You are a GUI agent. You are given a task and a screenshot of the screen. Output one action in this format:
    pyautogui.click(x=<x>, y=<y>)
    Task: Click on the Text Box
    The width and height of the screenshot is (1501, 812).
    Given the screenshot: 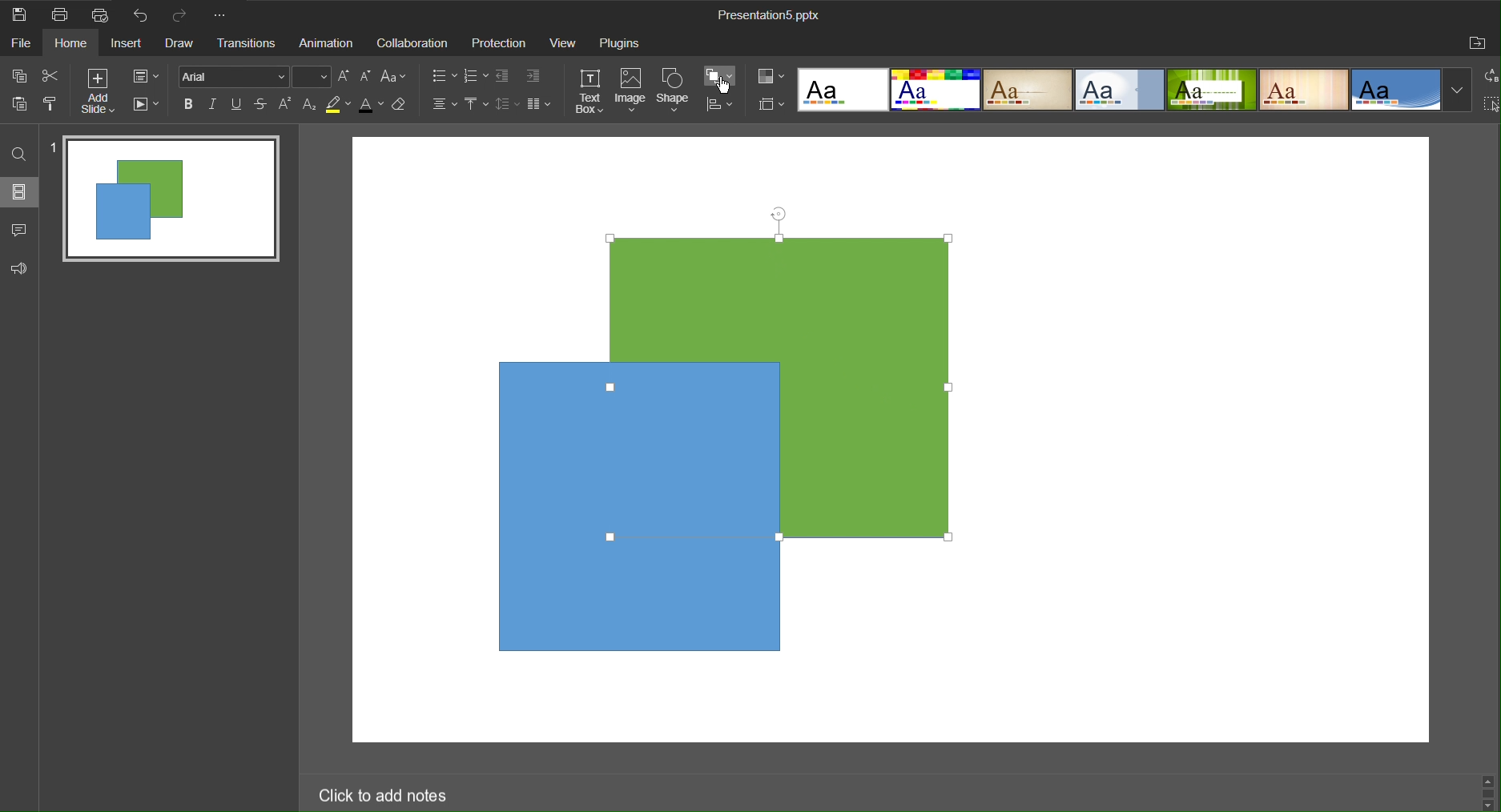 What is the action you would take?
    pyautogui.click(x=586, y=90)
    